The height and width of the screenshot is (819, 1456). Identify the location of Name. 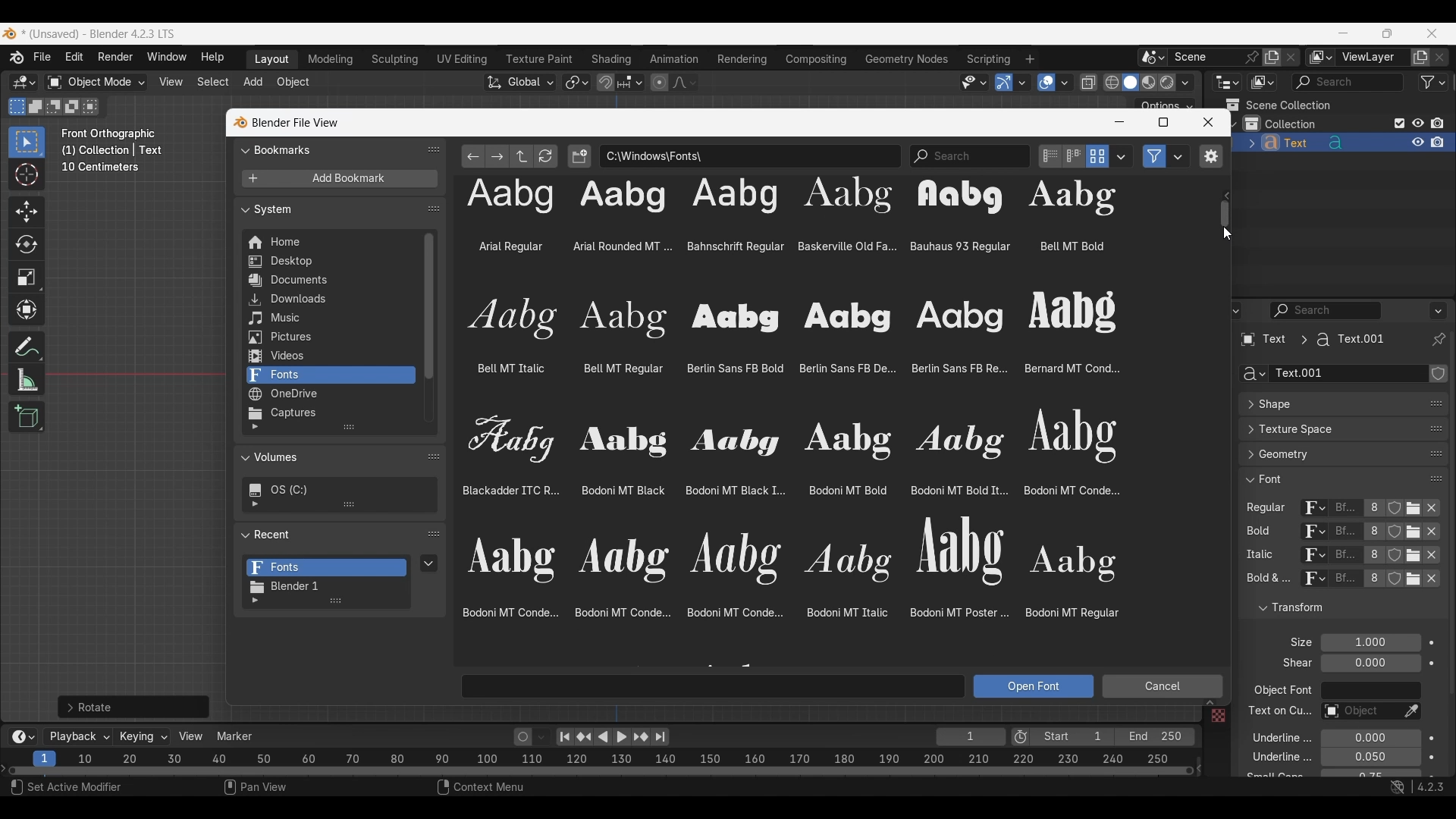
(1346, 374).